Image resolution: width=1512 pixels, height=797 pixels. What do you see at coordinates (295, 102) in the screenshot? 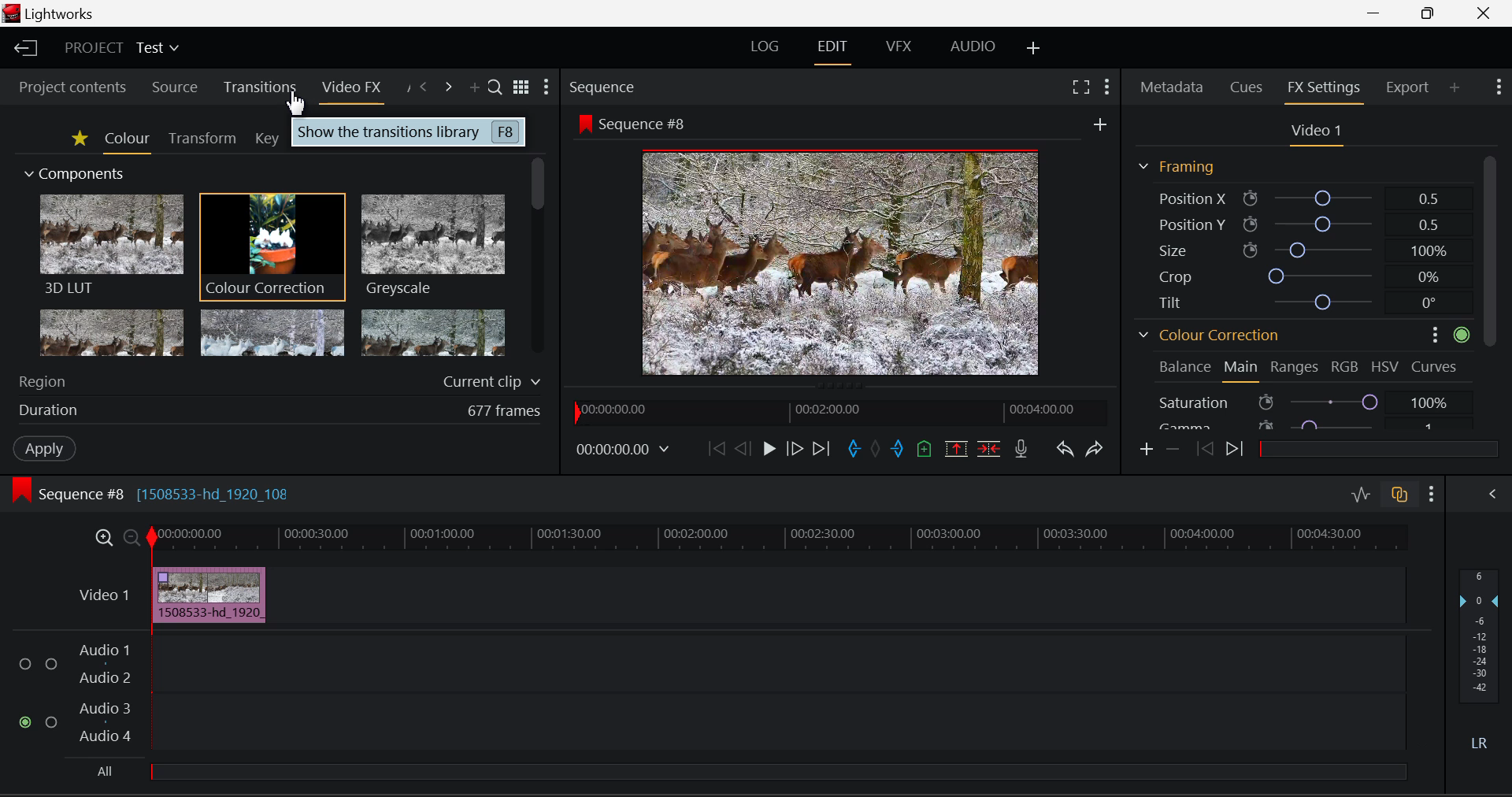
I see `Cursor` at bounding box center [295, 102].